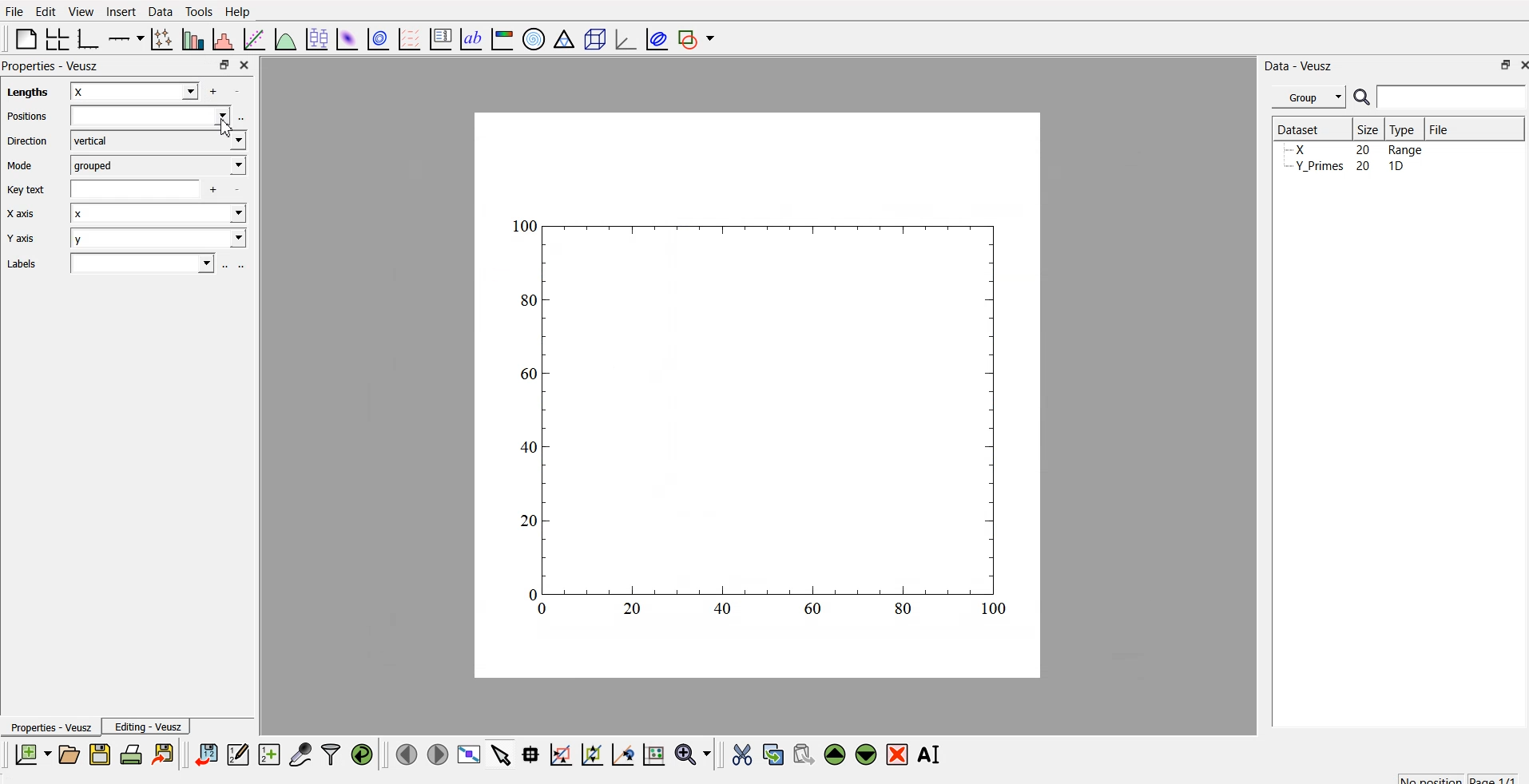 This screenshot has width=1529, height=784. I want to click on close, so click(1519, 66).